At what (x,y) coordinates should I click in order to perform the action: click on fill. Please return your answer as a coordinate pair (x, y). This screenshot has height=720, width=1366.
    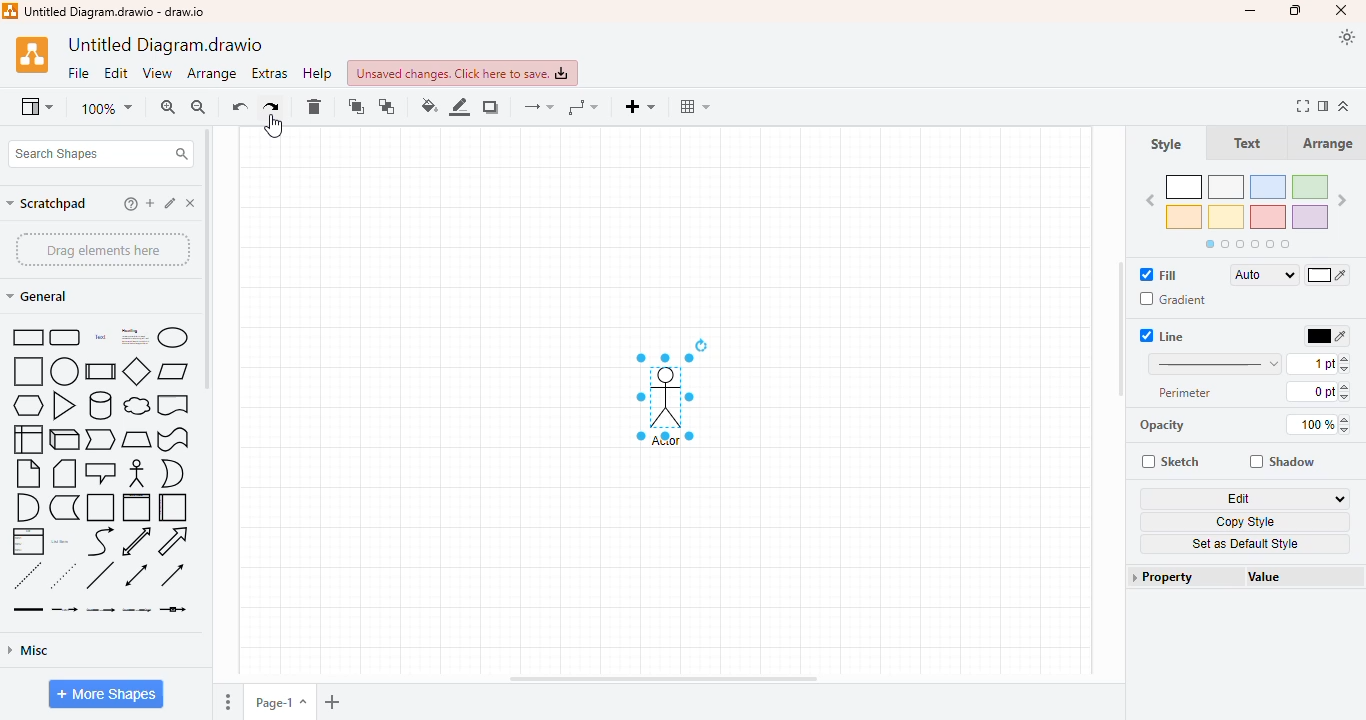
    Looking at the image, I should click on (1160, 275).